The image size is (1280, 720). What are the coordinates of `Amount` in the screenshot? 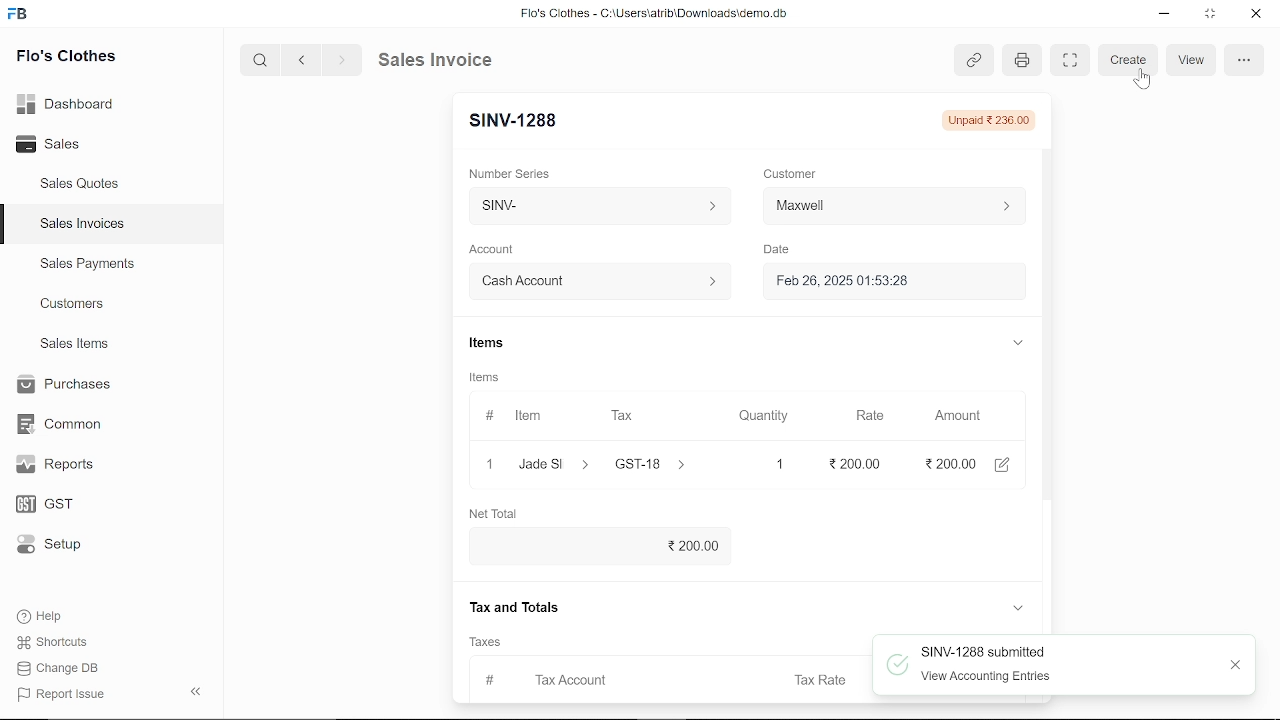 It's located at (958, 416).